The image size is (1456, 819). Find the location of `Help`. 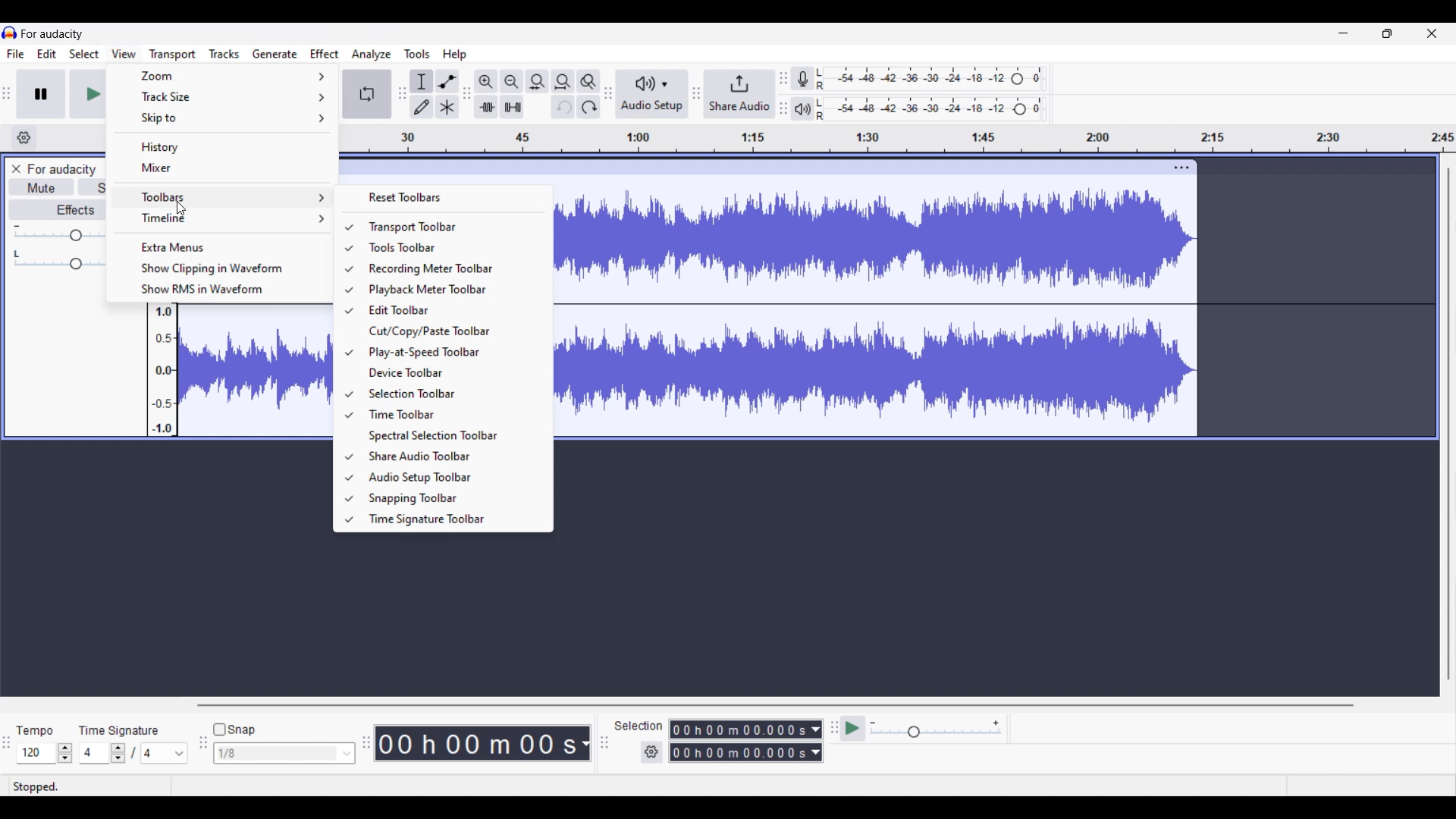

Help is located at coordinates (455, 55).